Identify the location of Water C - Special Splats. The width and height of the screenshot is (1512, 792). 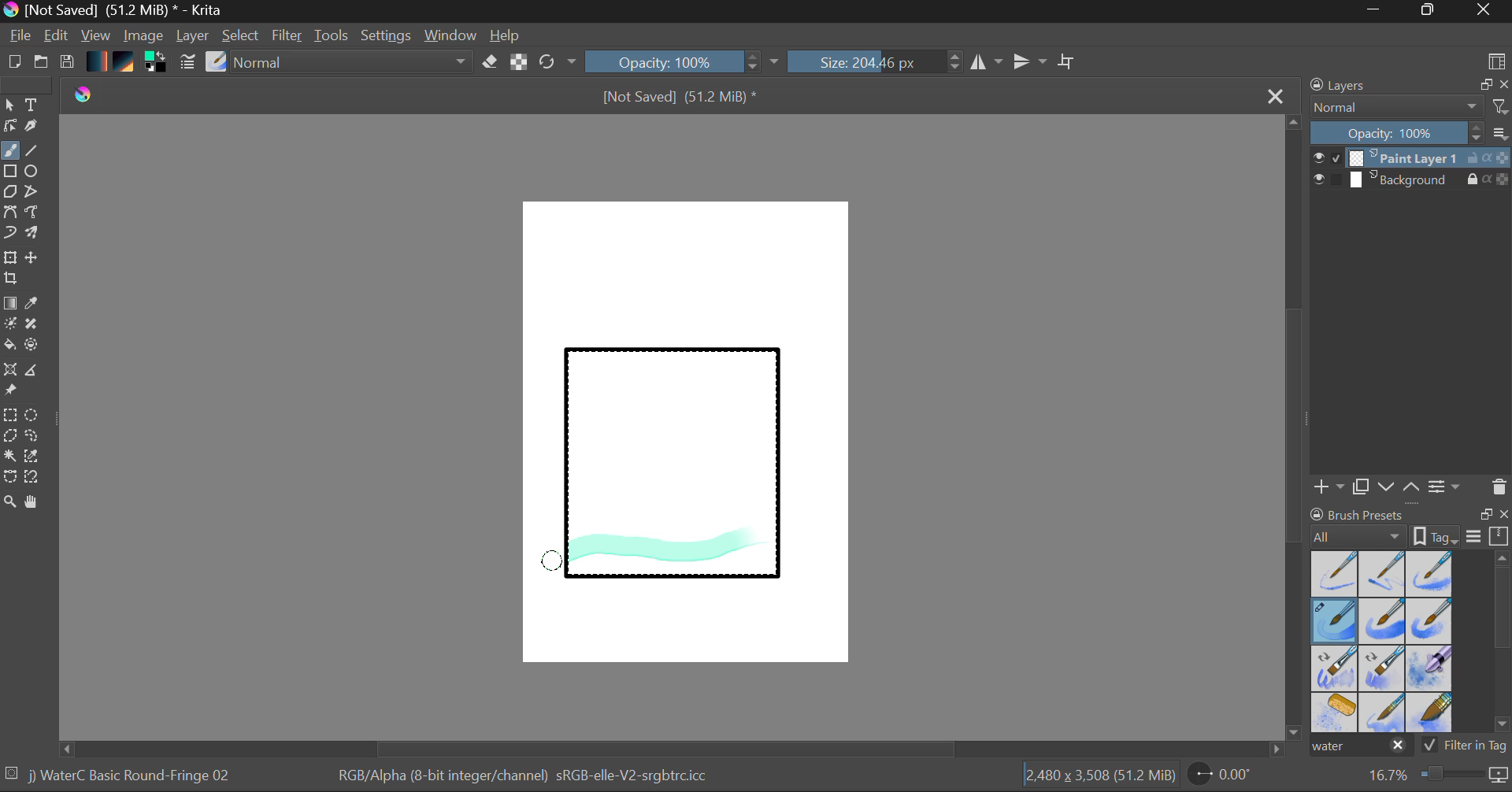
(1336, 712).